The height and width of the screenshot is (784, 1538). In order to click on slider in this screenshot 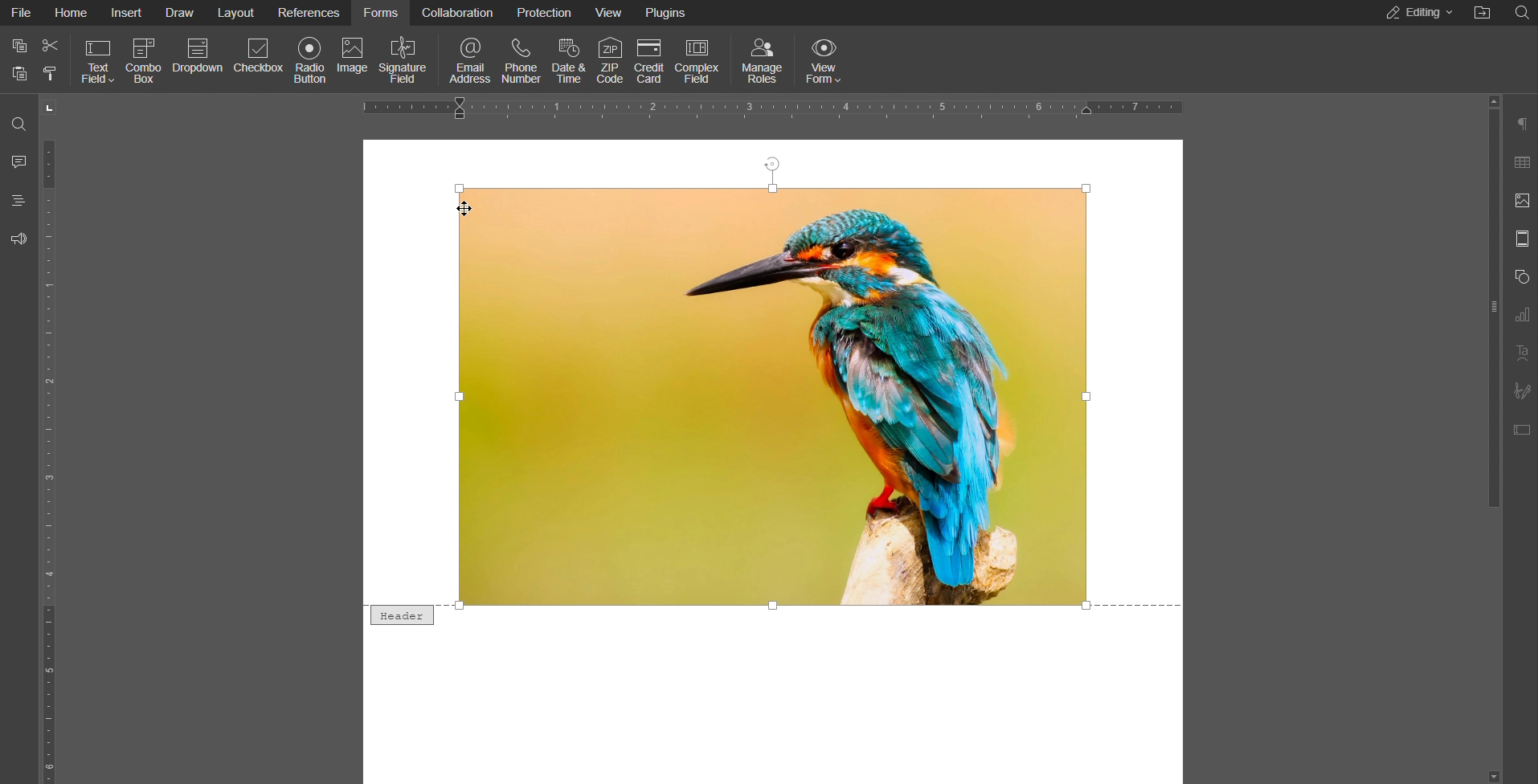, I will do `click(1488, 357)`.